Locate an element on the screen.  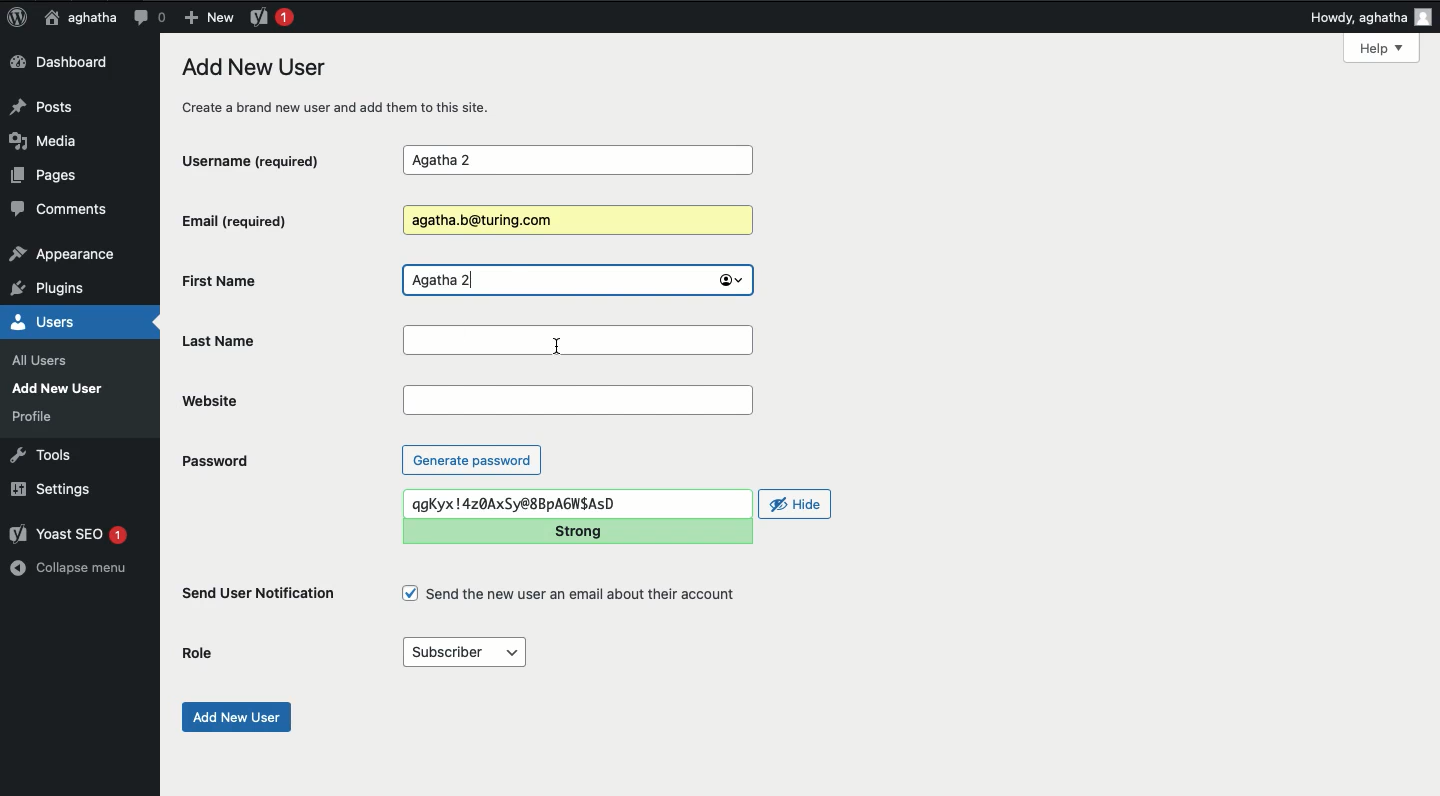
Email (required) is located at coordinates (269, 220).